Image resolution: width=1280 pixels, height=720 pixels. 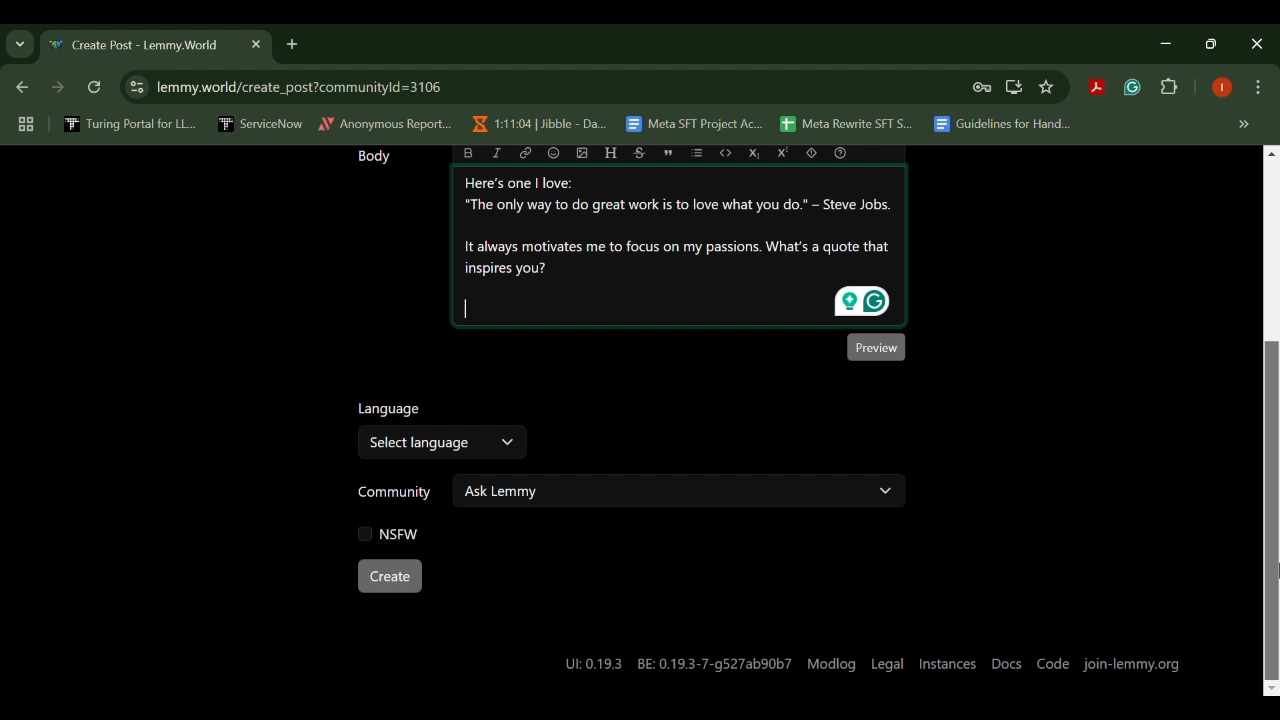 What do you see at coordinates (680, 490) in the screenshot?
I see `Ask Lemmy` at bounding box center [680, 490].